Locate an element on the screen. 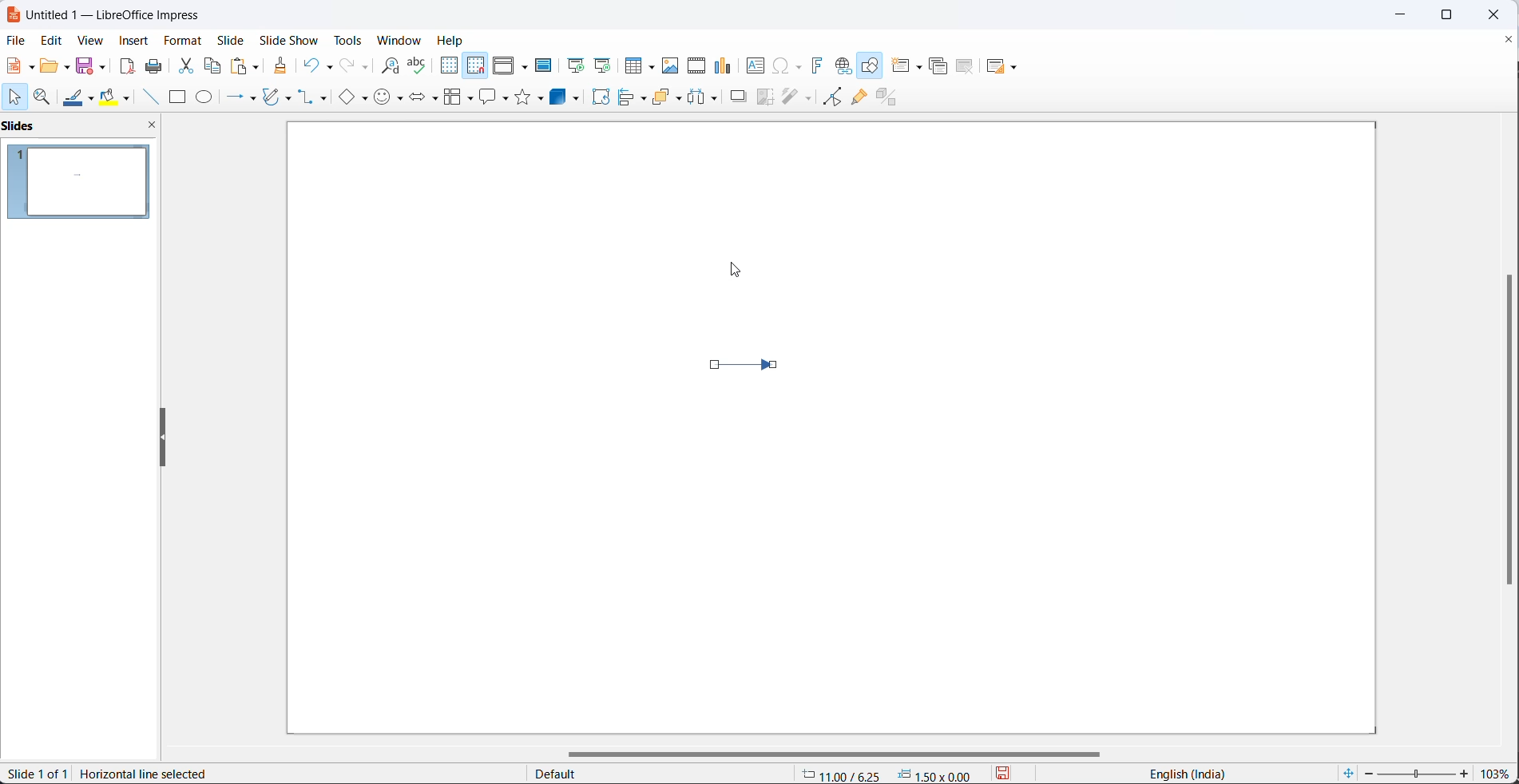 This screenshot has width=1519, height=784. show gluepoint function is located at coordinates (858, 97).